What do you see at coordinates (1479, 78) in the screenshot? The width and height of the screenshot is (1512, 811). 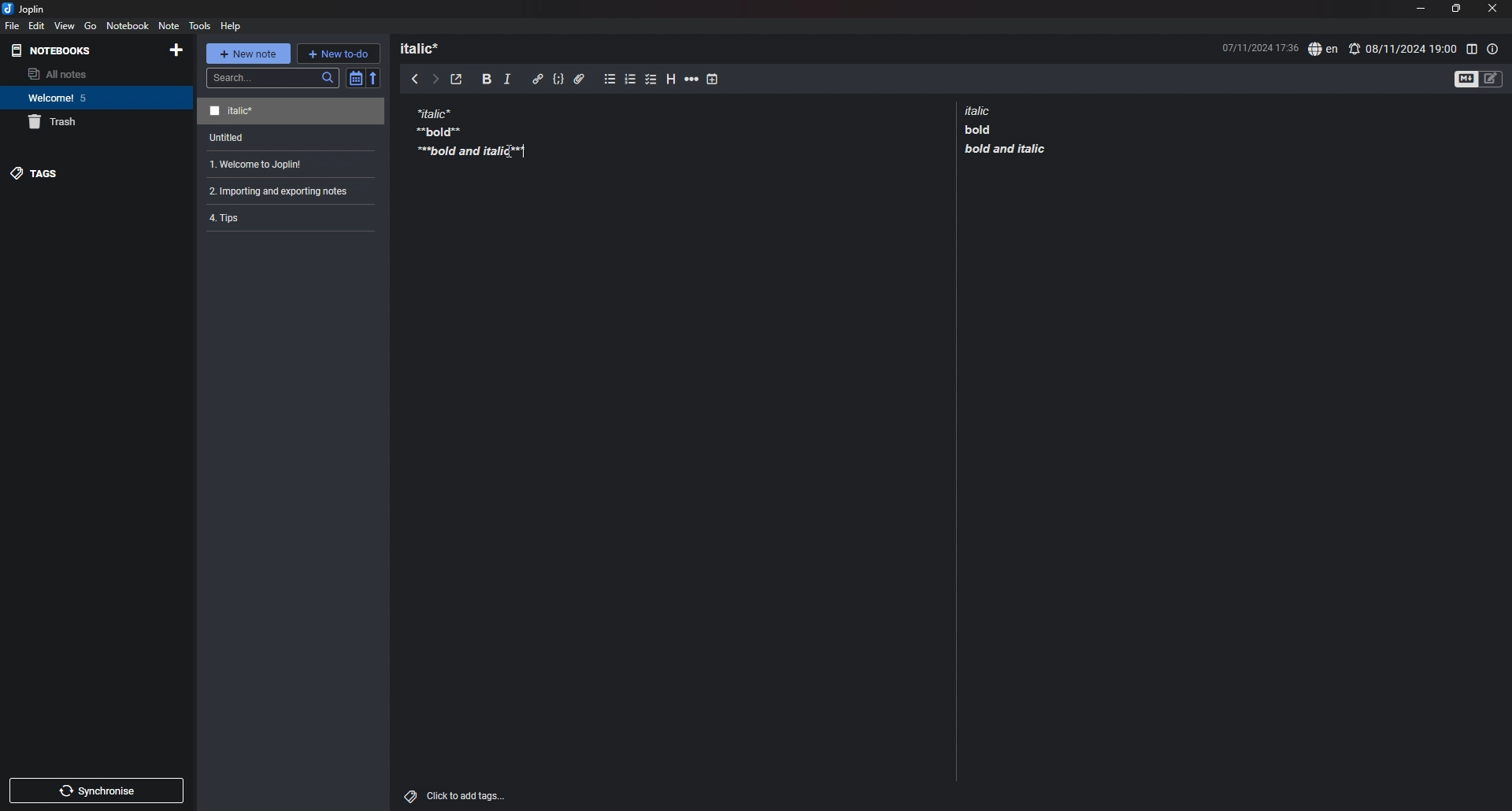 I see `toggle editors` at bounding box center [1479, 78].